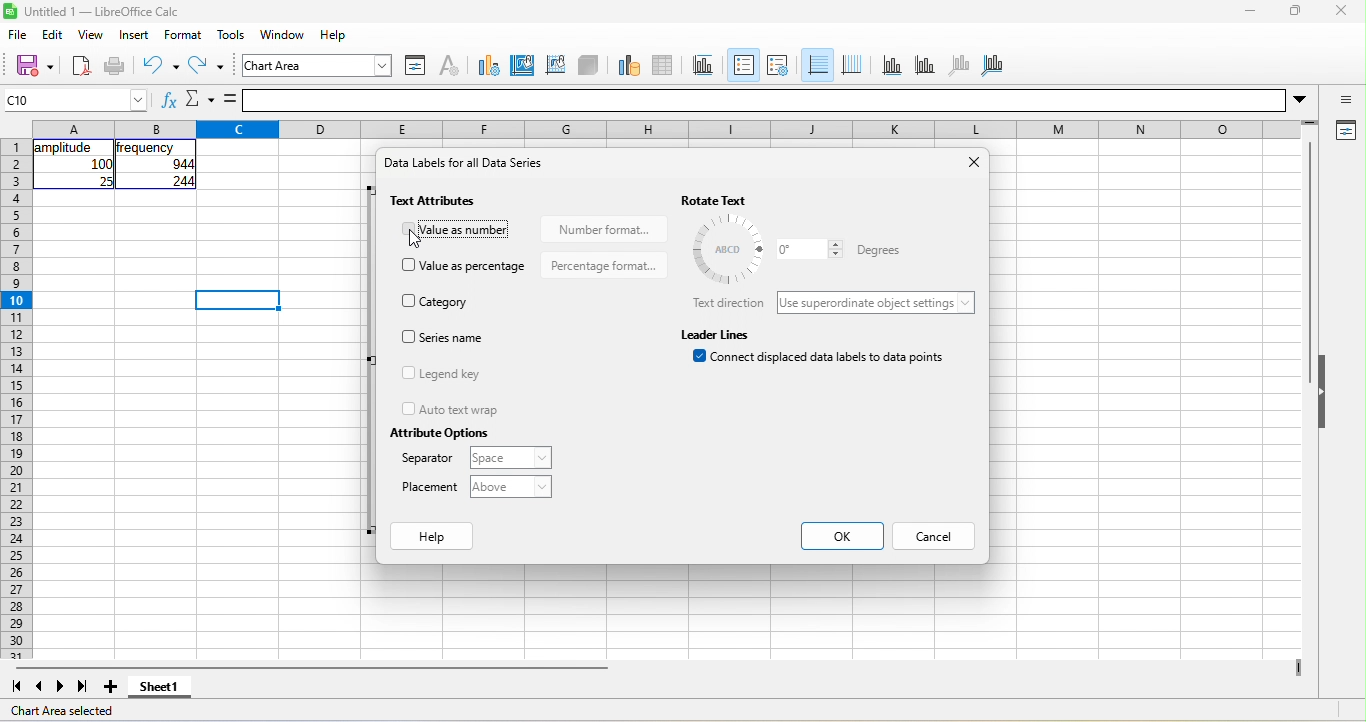 The width and height of the screenshot is (1366, 722). I want to click on format selection, so click(413, 65).